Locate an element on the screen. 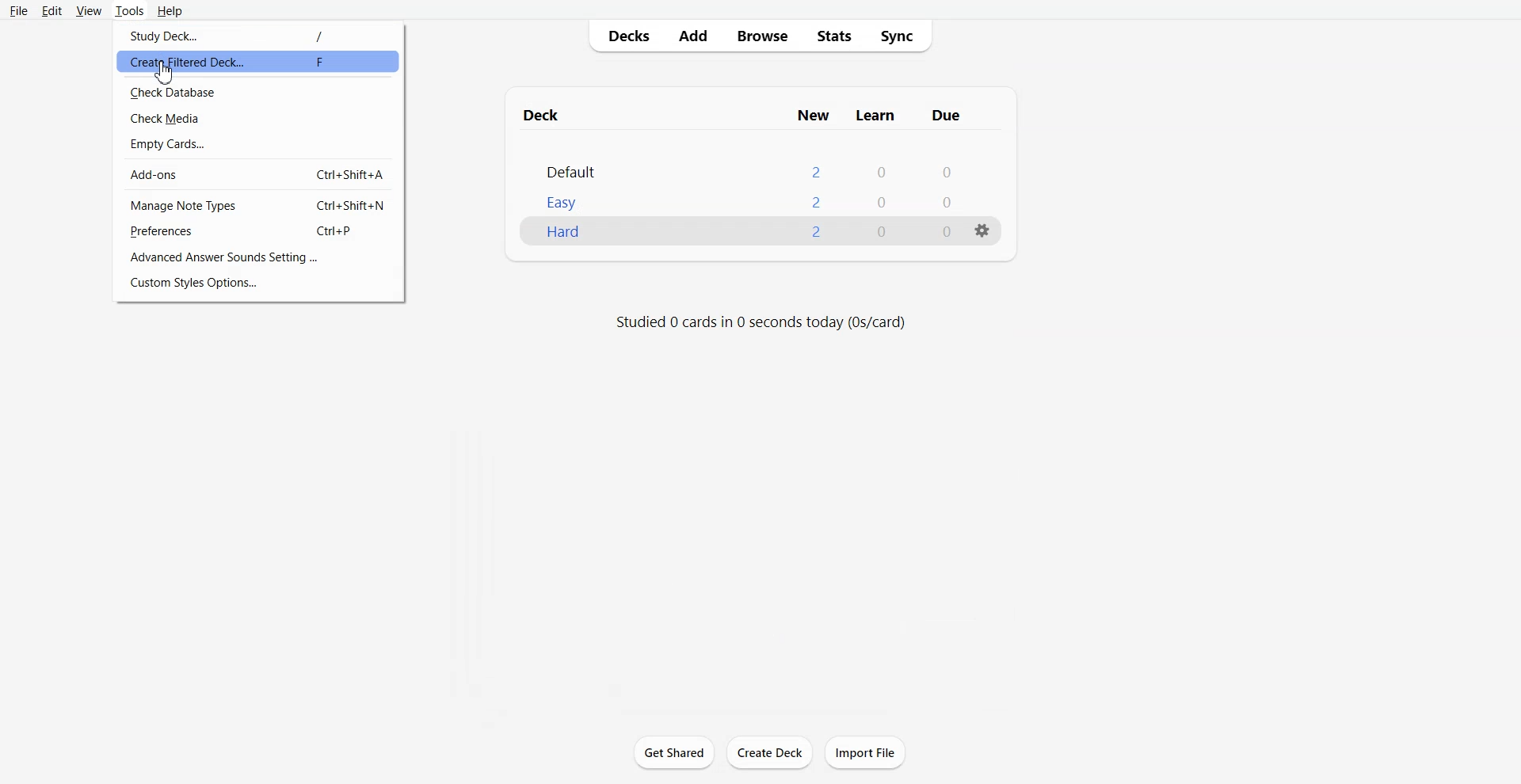 The height and width of the screenshot is (784, 1521). studied 0 cards in 0 seconds today (0s/card) is located at coordinates (772, 318).